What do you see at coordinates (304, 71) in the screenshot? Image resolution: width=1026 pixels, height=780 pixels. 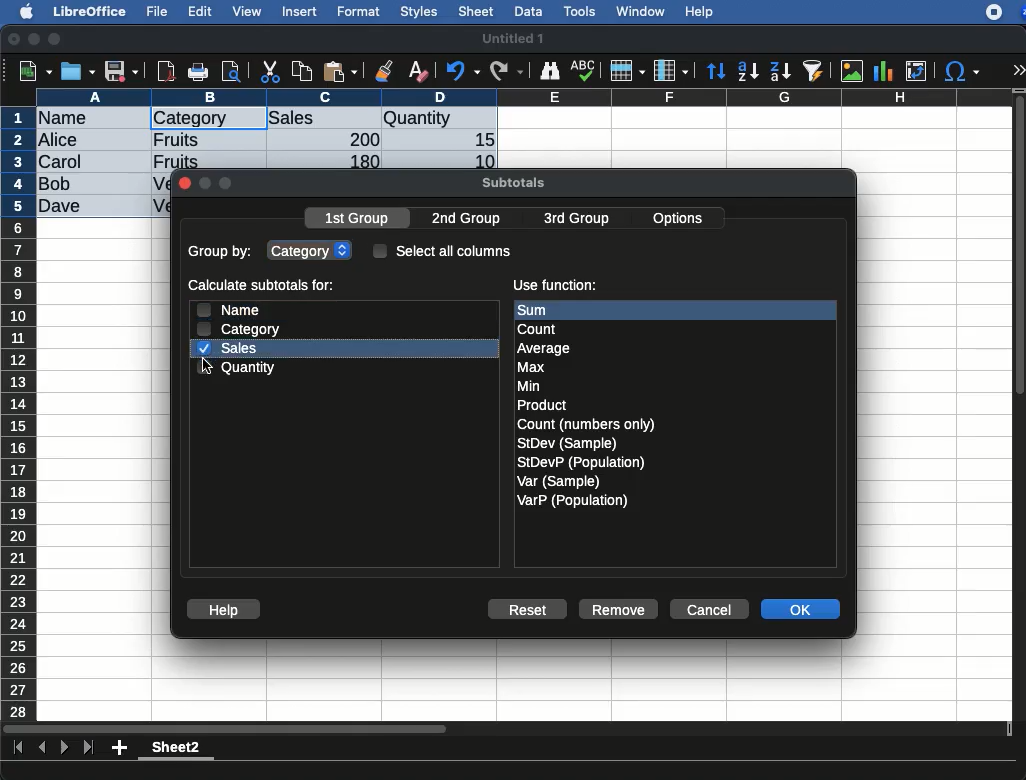 I see `copy` at bounding box center [304, 71].